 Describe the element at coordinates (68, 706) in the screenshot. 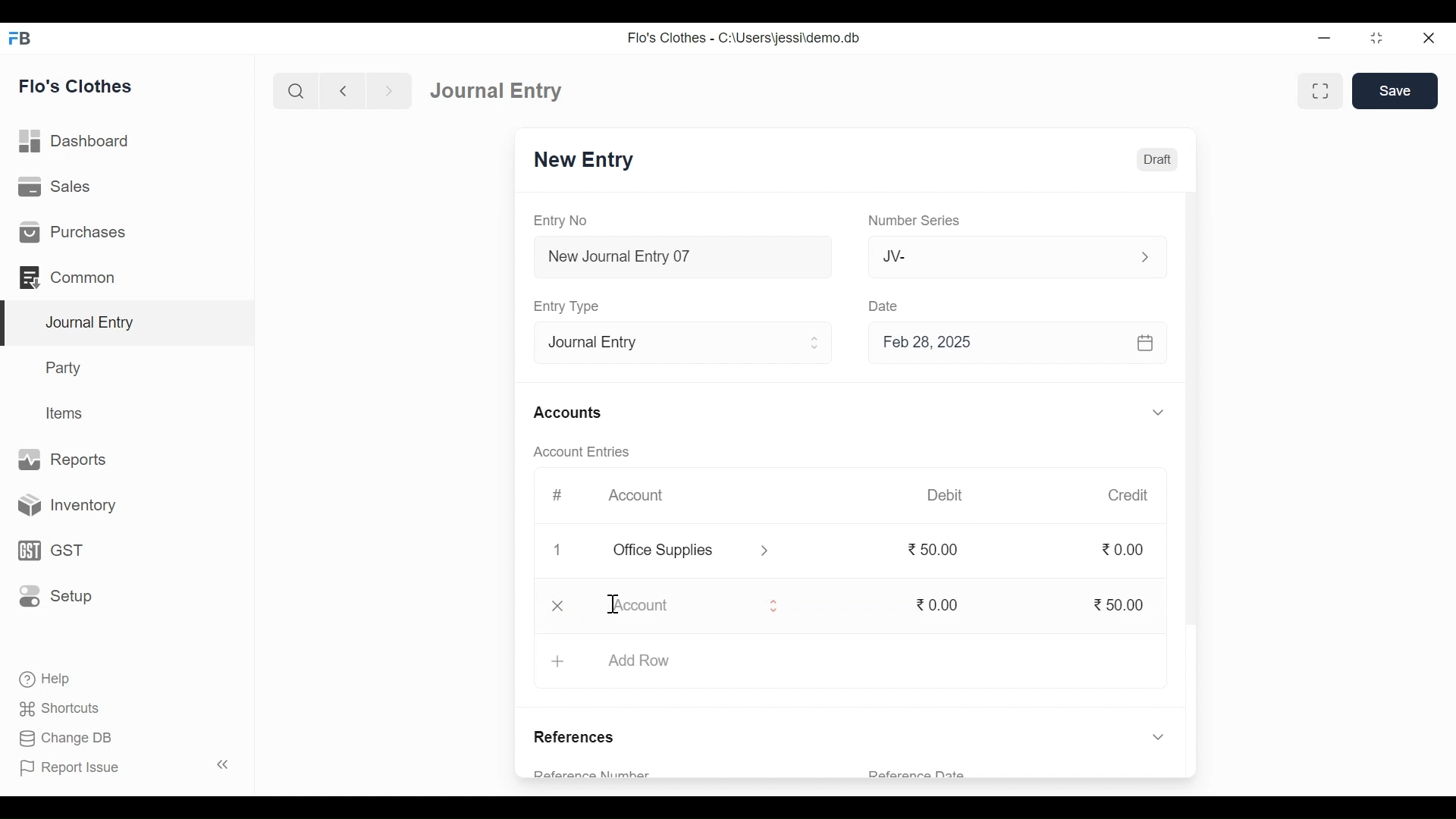

I see `Shortcuts` at that location.